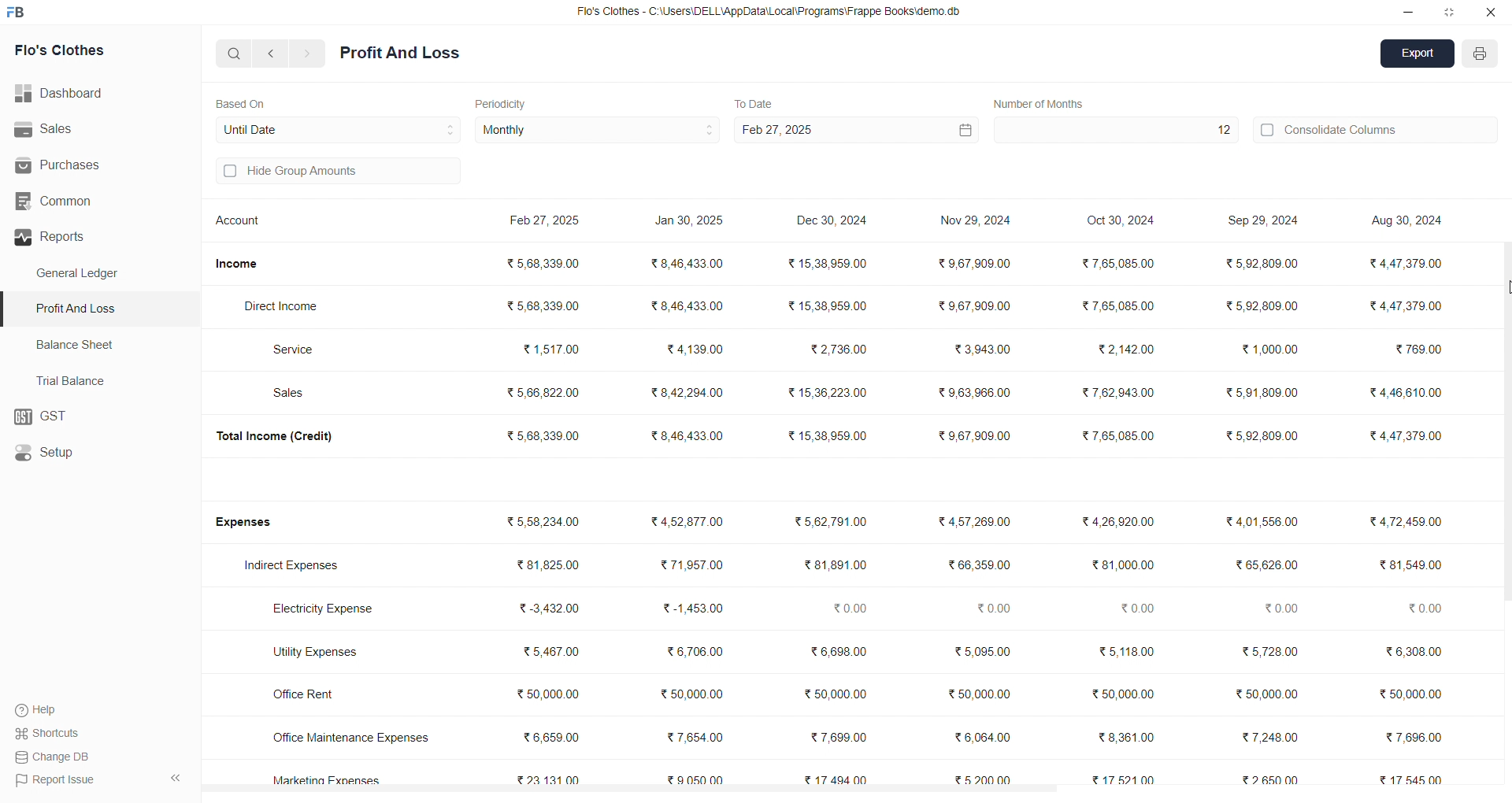 This screenshot has height=803, width=1512. What do you see at coordinates (839, 780) in the screenshot?
I see `₹ 17,494.00` at bounding box center [839, 780].